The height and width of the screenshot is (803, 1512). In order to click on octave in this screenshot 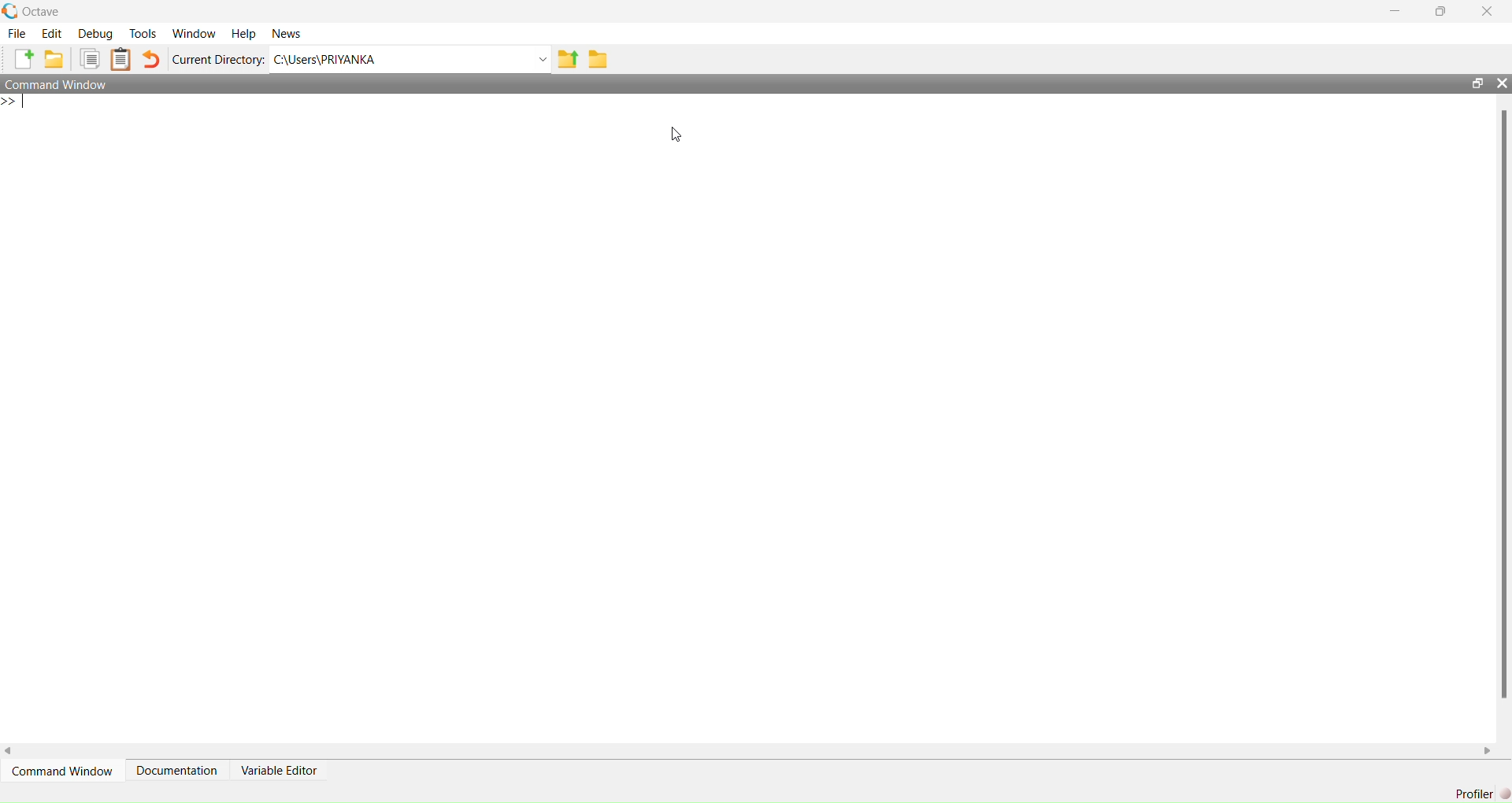, I will do `click(45, 13)`.